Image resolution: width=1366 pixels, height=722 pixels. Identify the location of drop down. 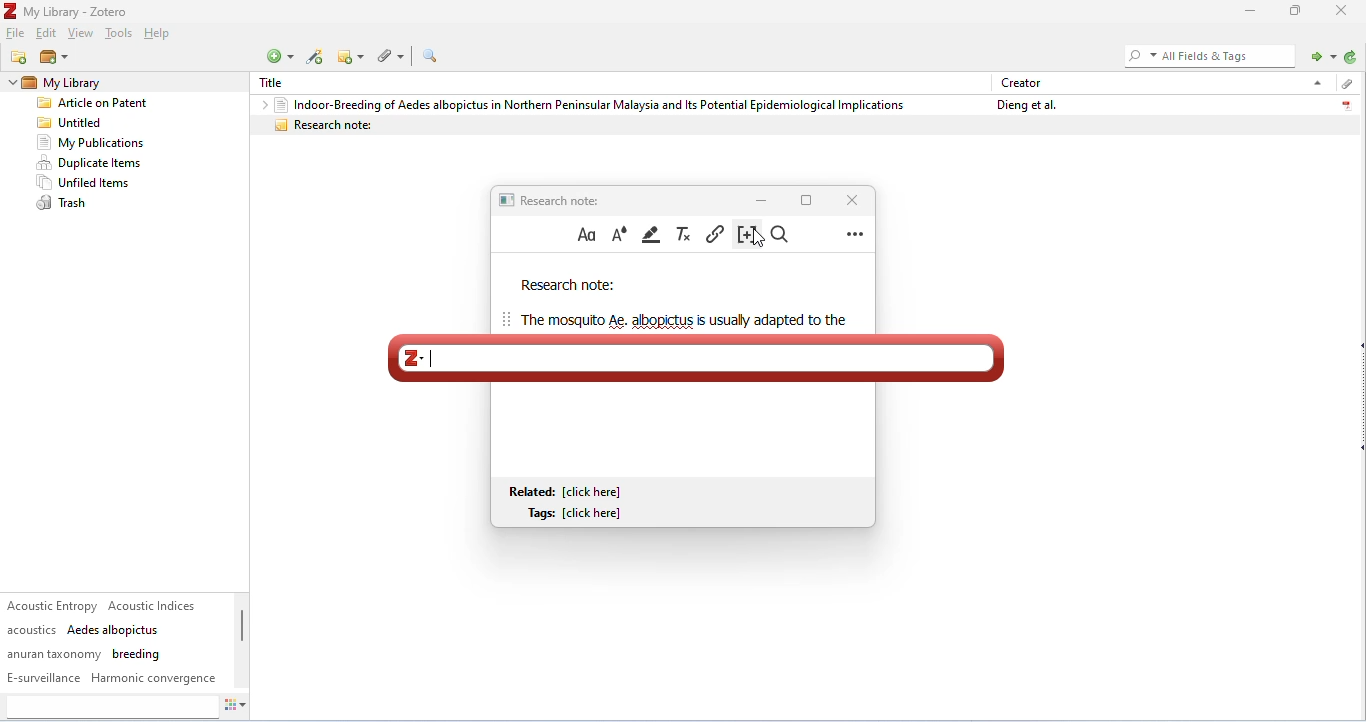
(10, 83).